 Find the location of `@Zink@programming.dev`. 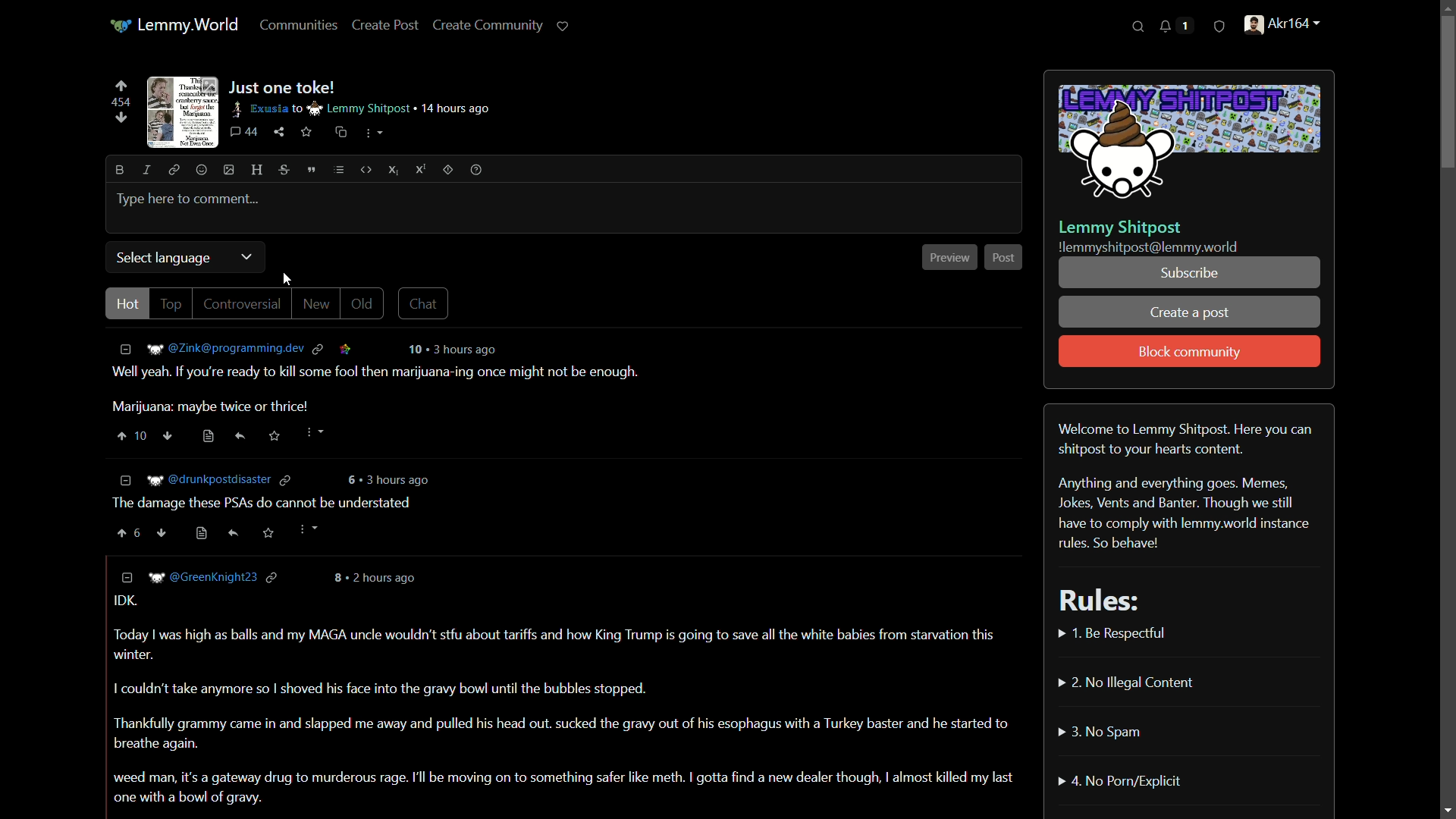

@Zink@programming.dev is located at coordinates (224, 349).